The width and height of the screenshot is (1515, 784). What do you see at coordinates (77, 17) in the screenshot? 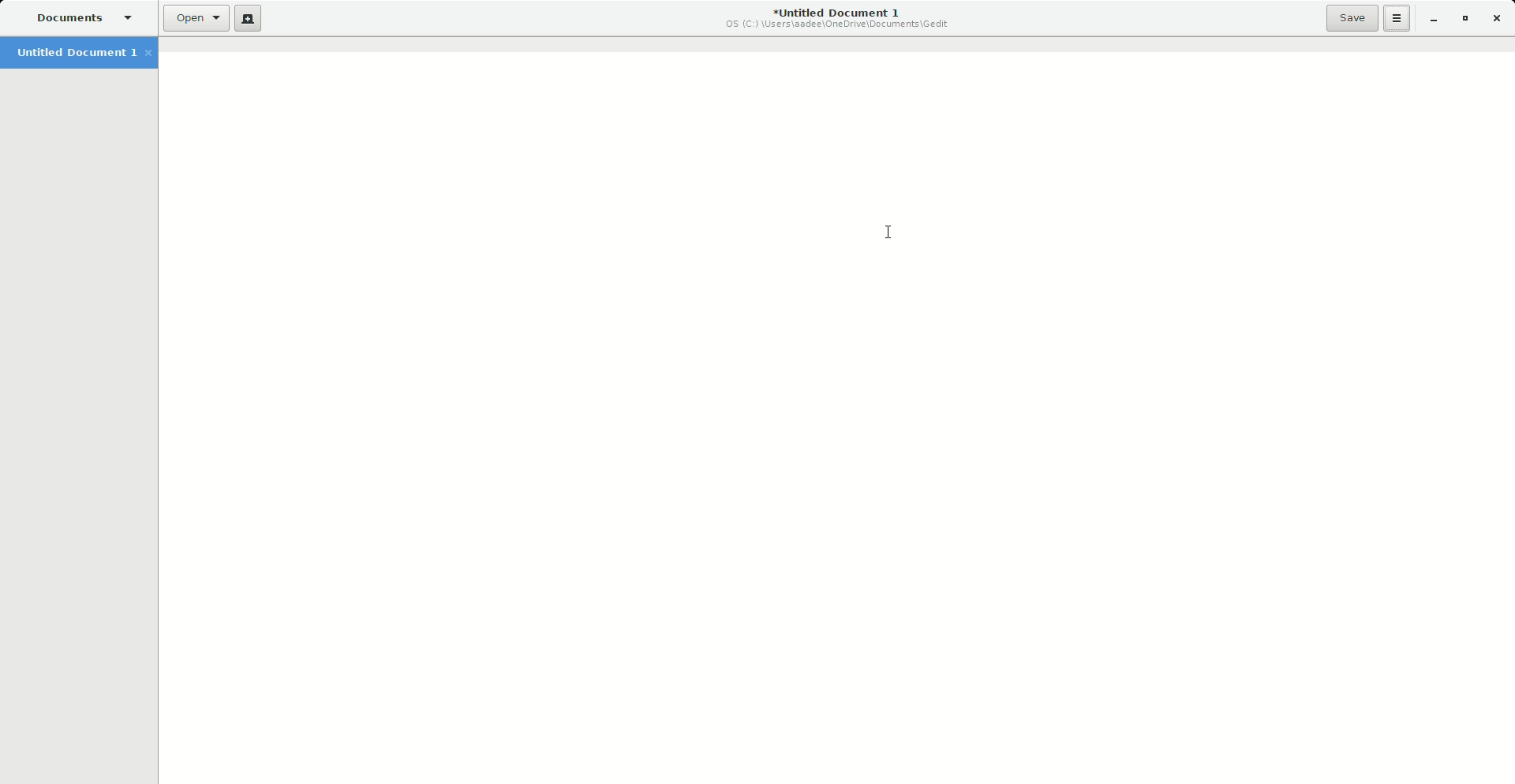
I see `Documents` at bounding box center [77, 17].